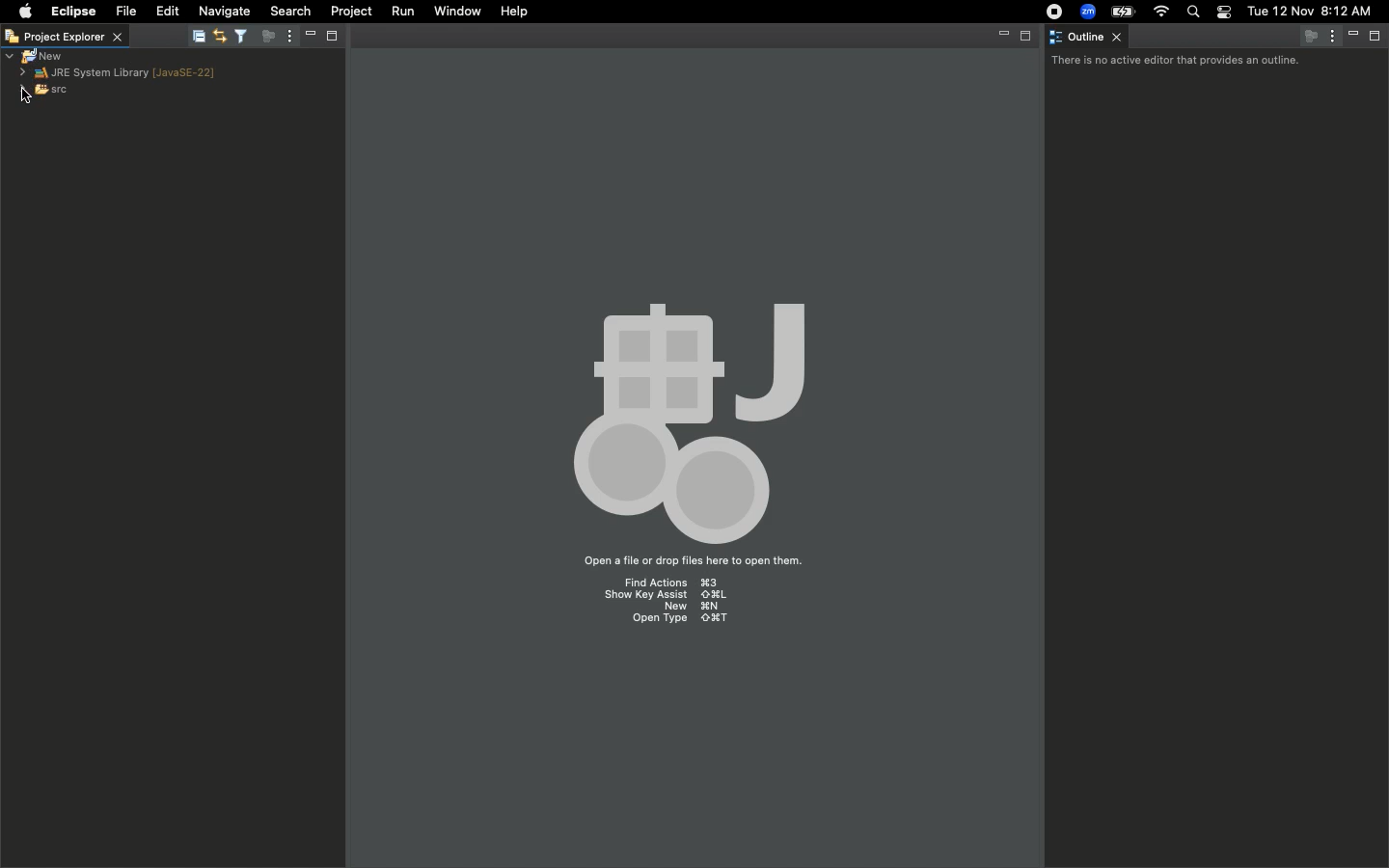 The height and width of the screenshot is (868, 1389). What do you see at coordinates (1309, 11) in the screenshot?
I see `Date/time` at bounding box center [1309, 11].